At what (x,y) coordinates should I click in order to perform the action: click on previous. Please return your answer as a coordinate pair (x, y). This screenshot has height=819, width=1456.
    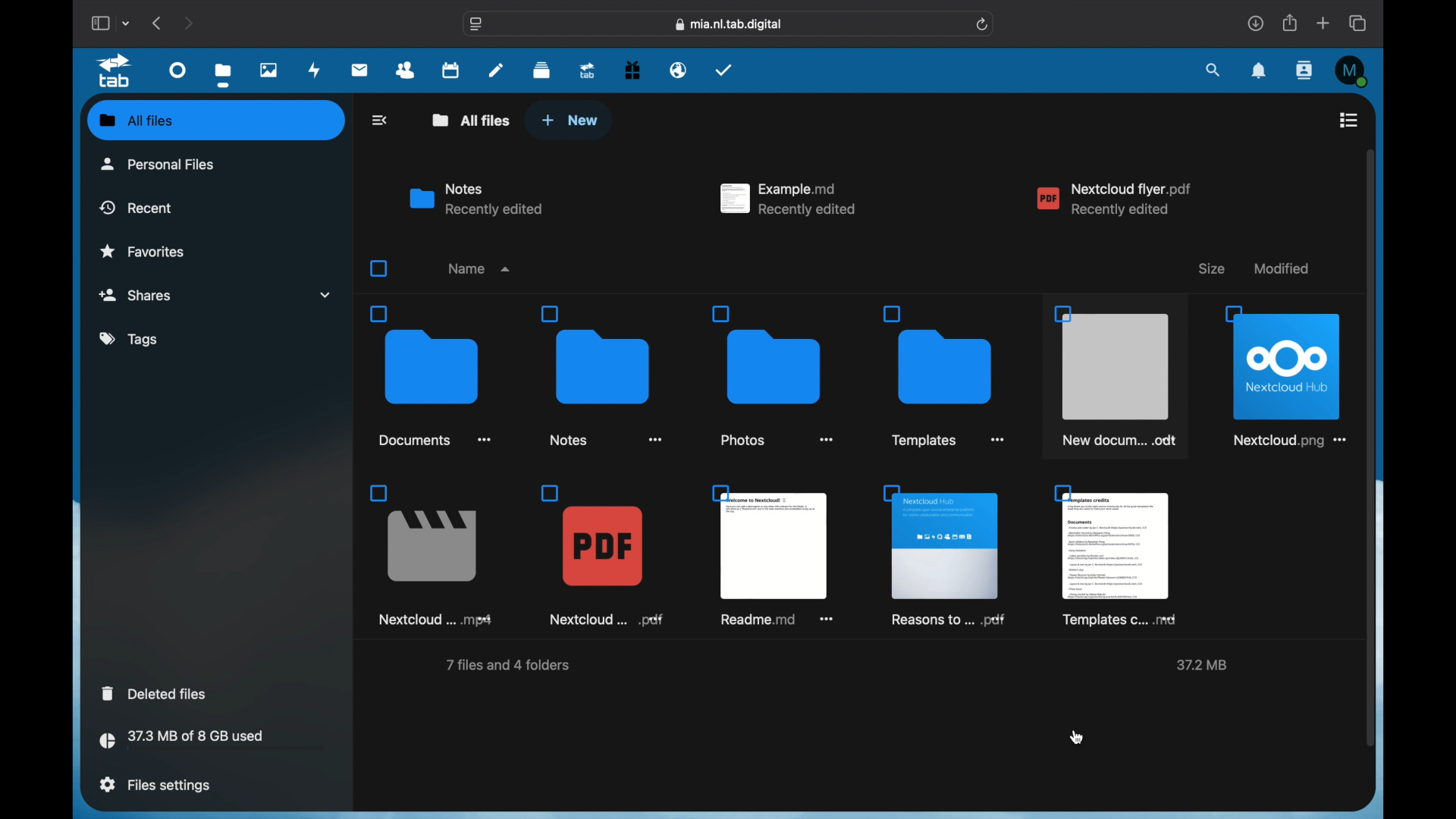
    Looking at the image, I should click on (158, 23).